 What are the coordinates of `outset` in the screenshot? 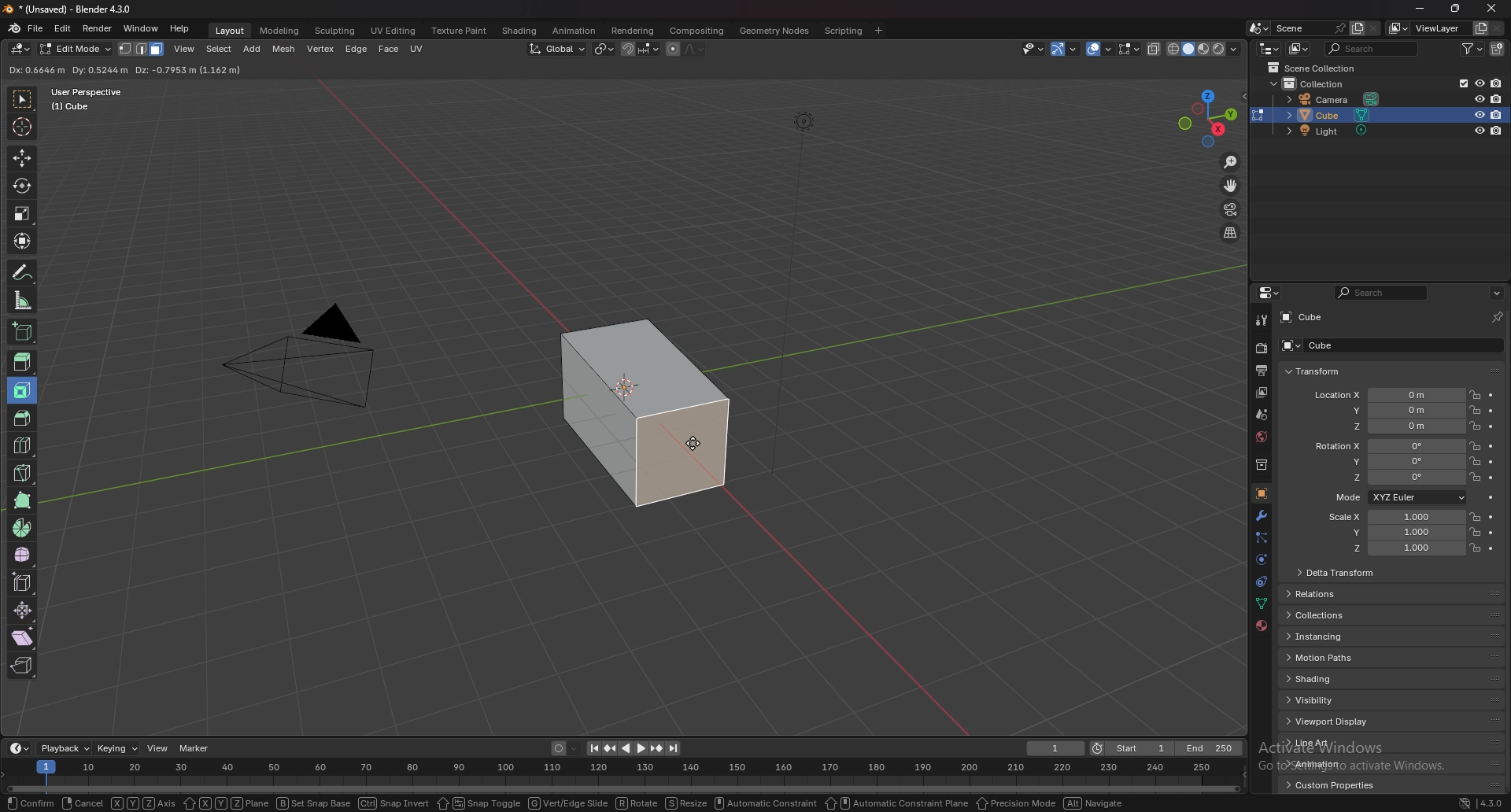 It's located at (136, 70).